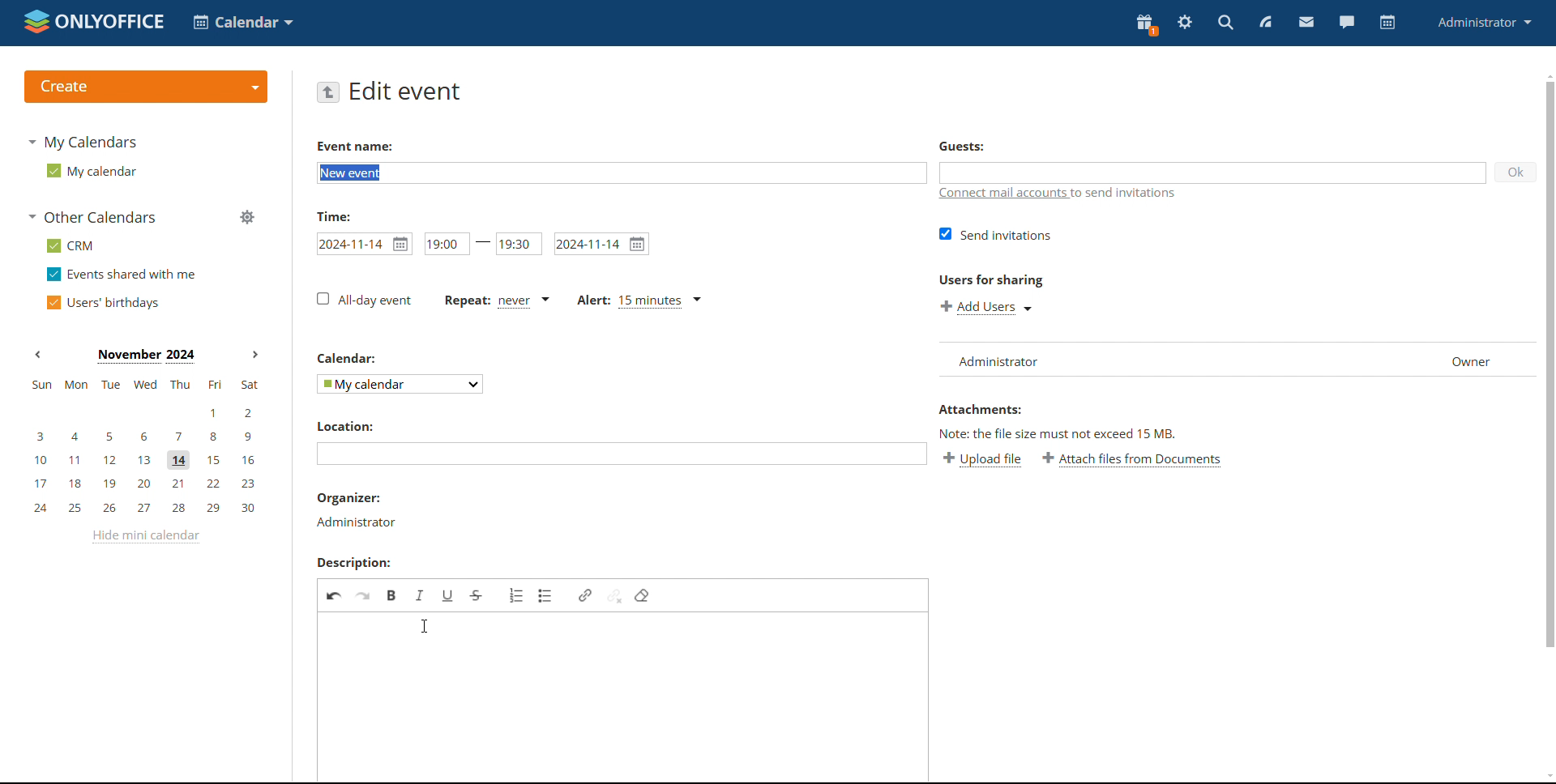 This screenshot has width=1556, height=784. I want to click on mini calendar, so click(143, 447).